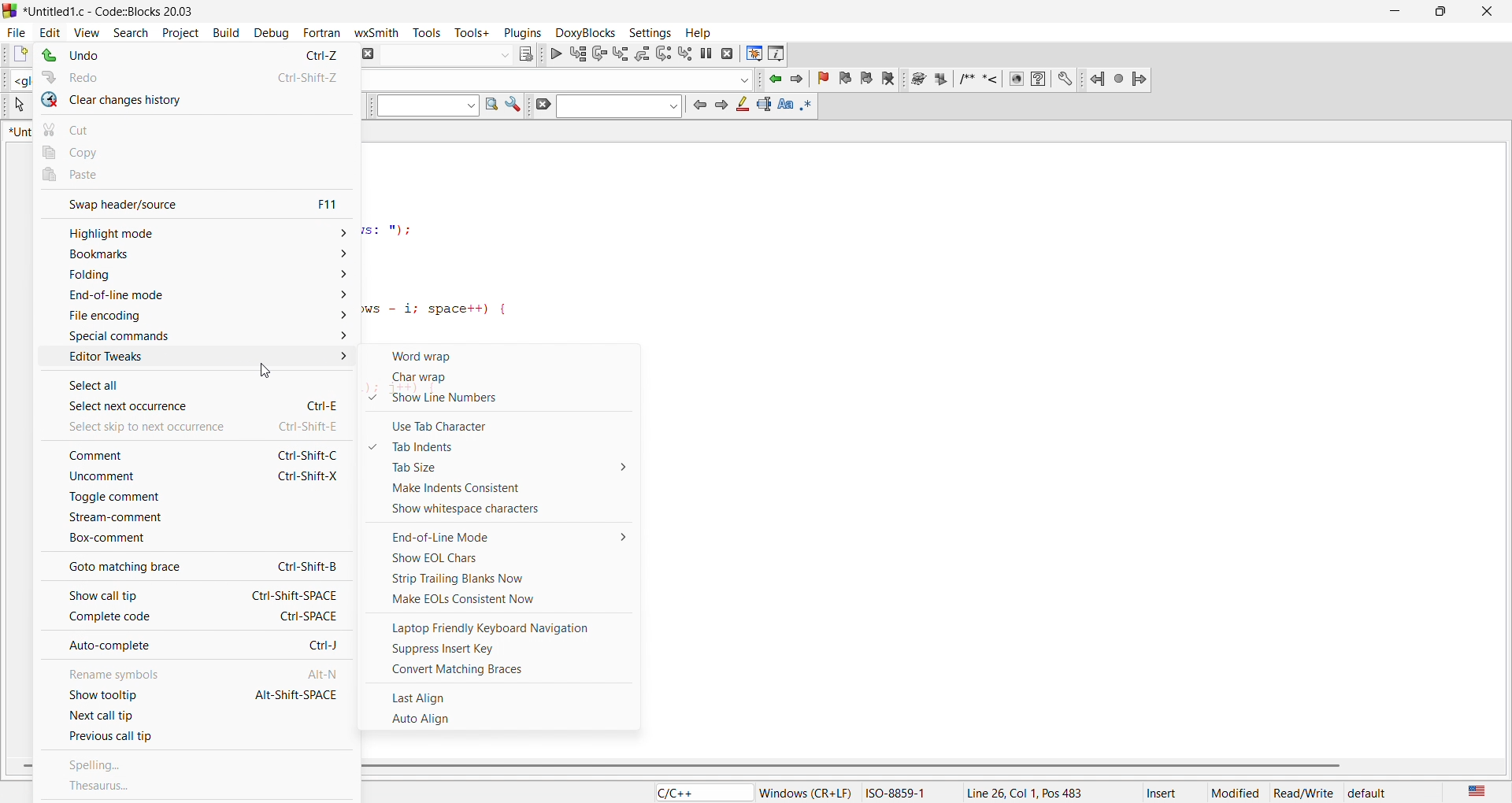 The height and width of the screenshot is (803, 1512). What do you see at coordinates (650, 29) in the screenshot?
I see `settings` at bounding box center [650, 29].